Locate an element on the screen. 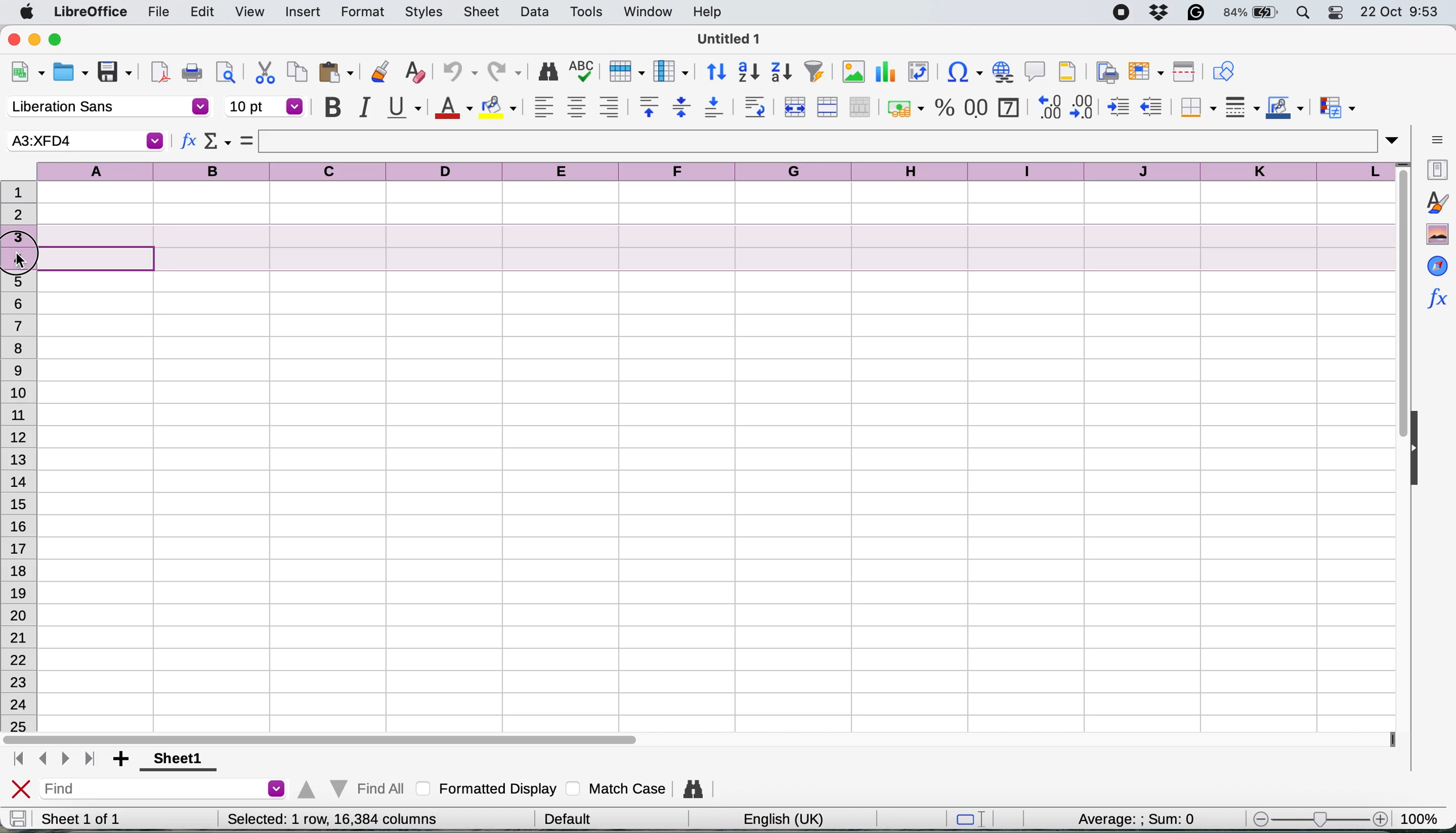 The width and height of the screenshot is (1456, 833). collapse is located at coordinates (1420, 450).